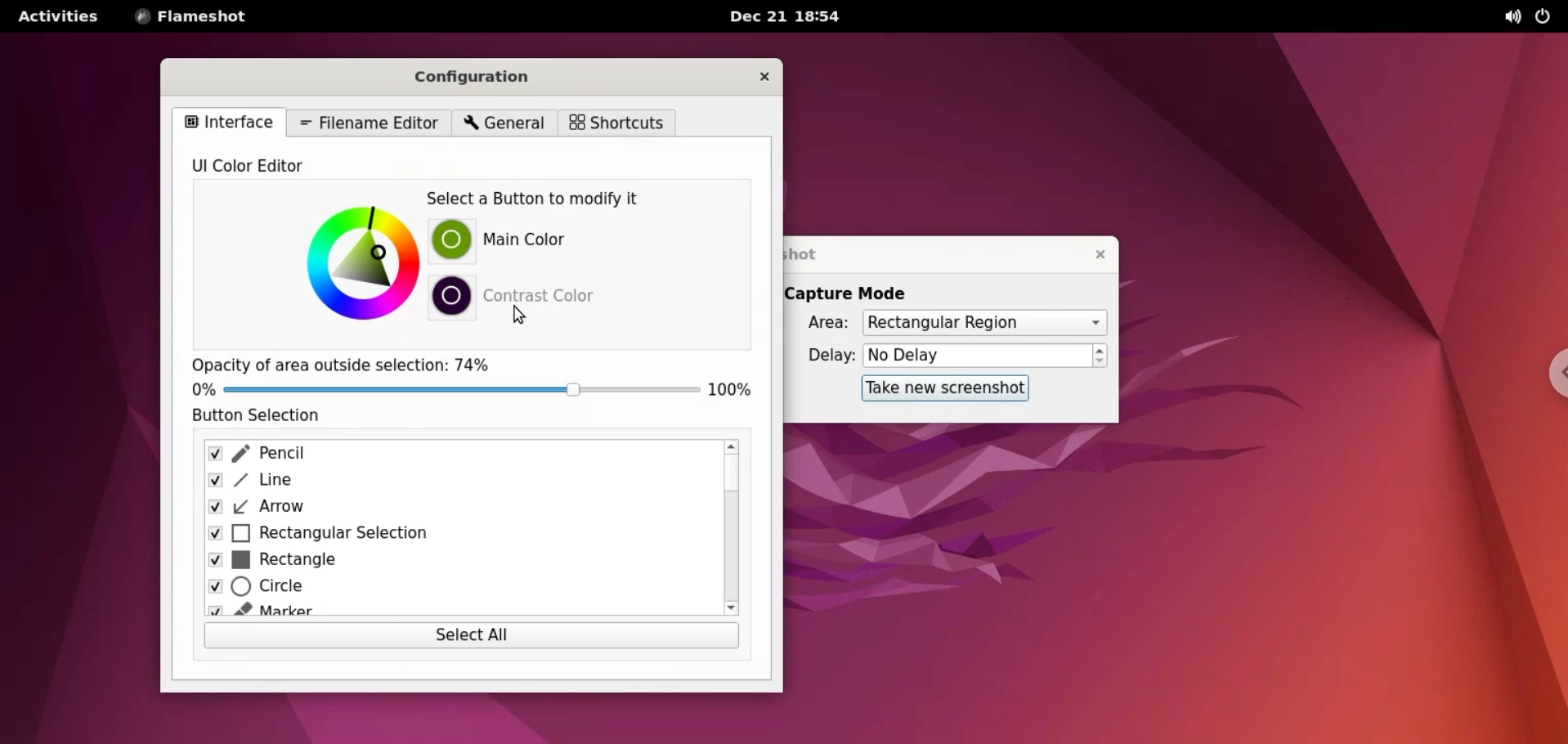  Describe the element at coordinates (458, 392) in the screenshot. I see `opacity slider` at that location.